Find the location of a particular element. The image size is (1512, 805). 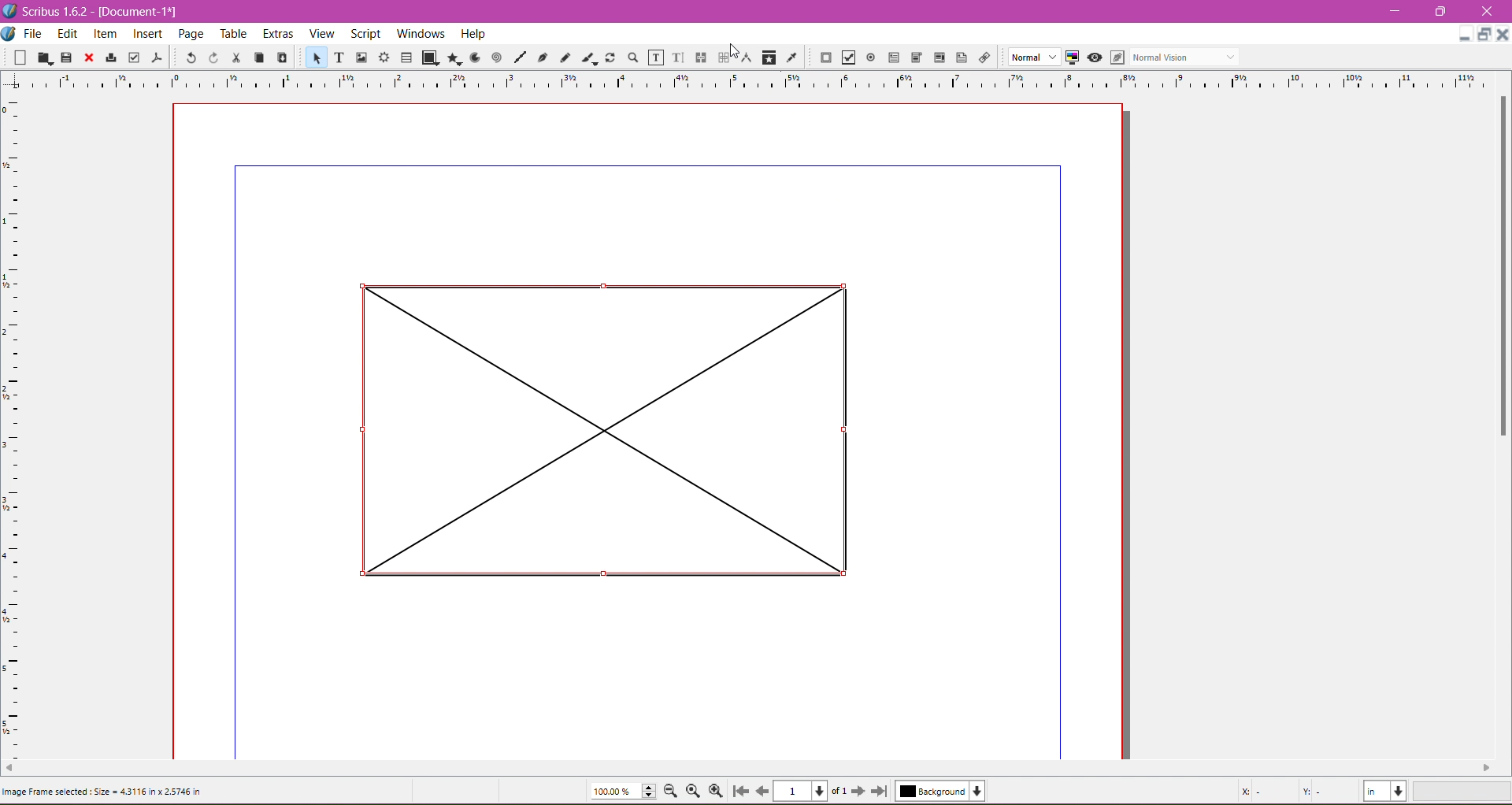

Vertical Scroll Bar is located at coordinates (1499, 265).